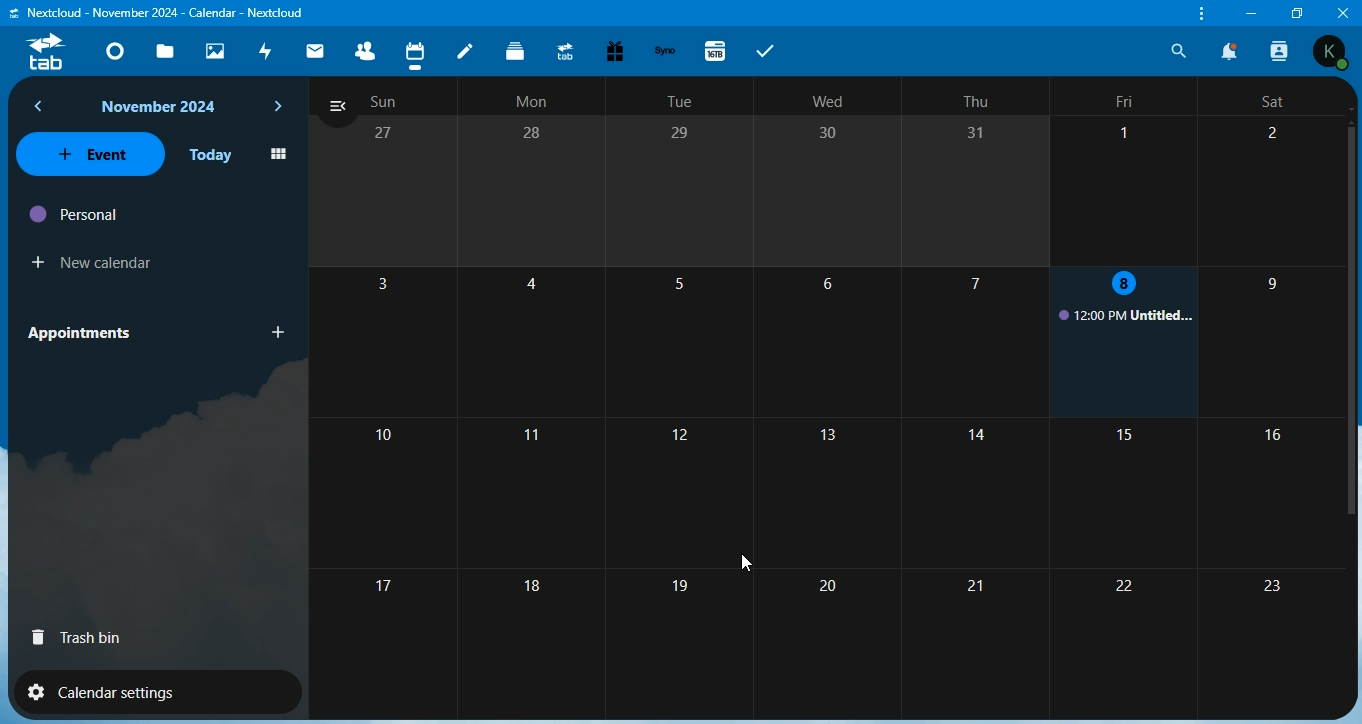  Describe the element at coordinates (94, 155) in the screenshot. I see `event` at that location.